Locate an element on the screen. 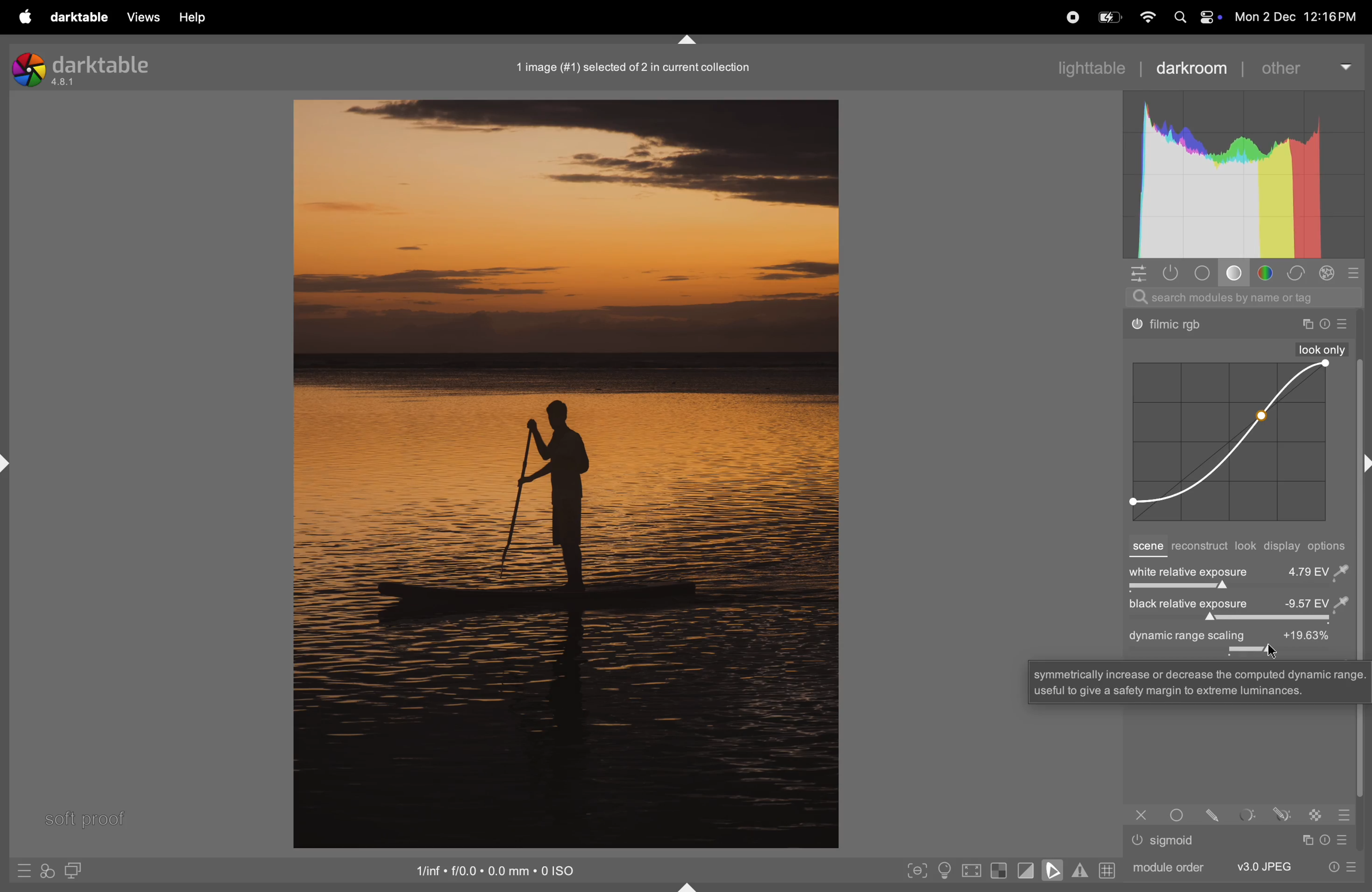 The height and width of the screenshot is (892, 1372).  is located at coordinates (1216, 814).